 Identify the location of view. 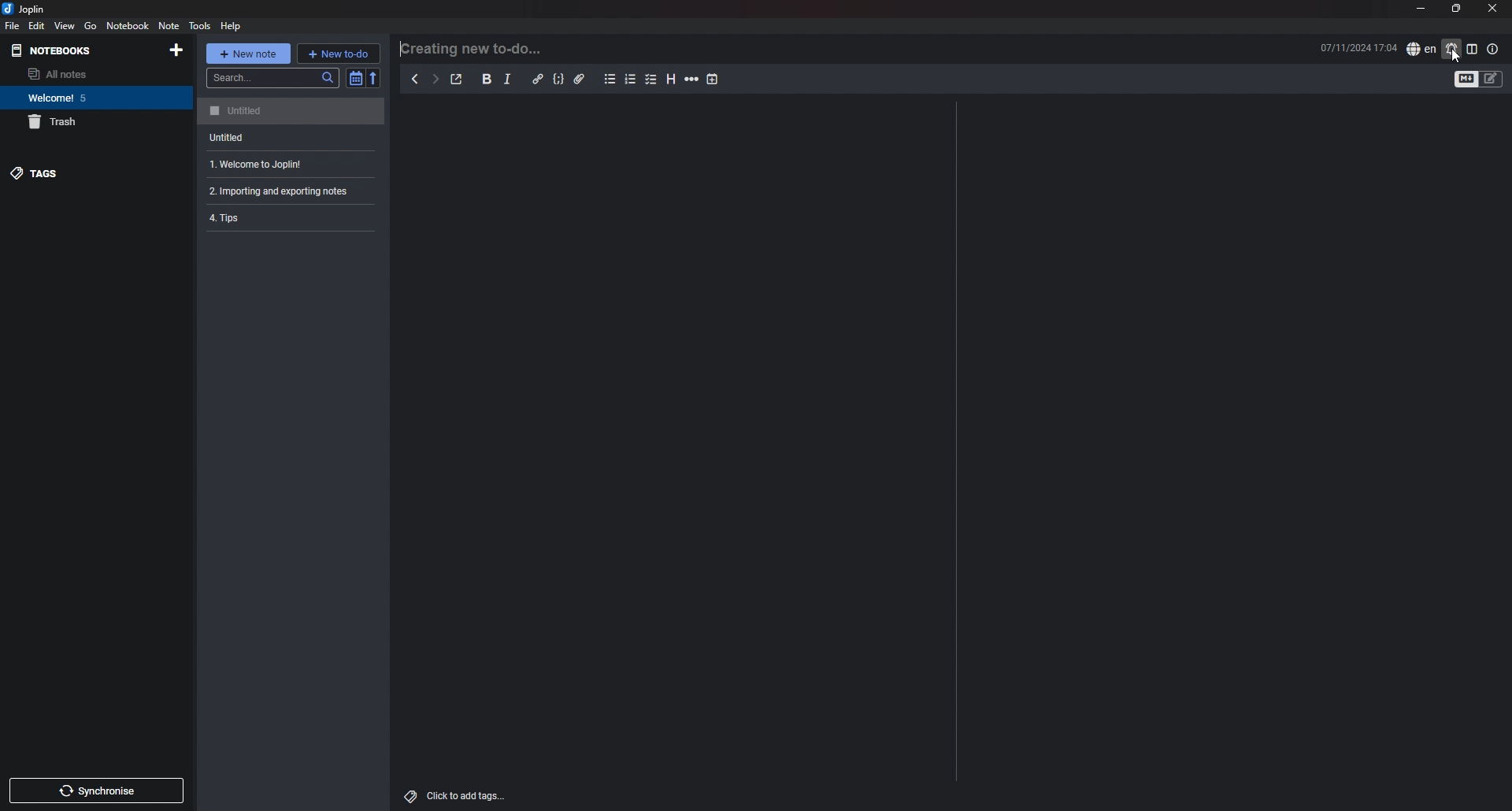
(65, 26).